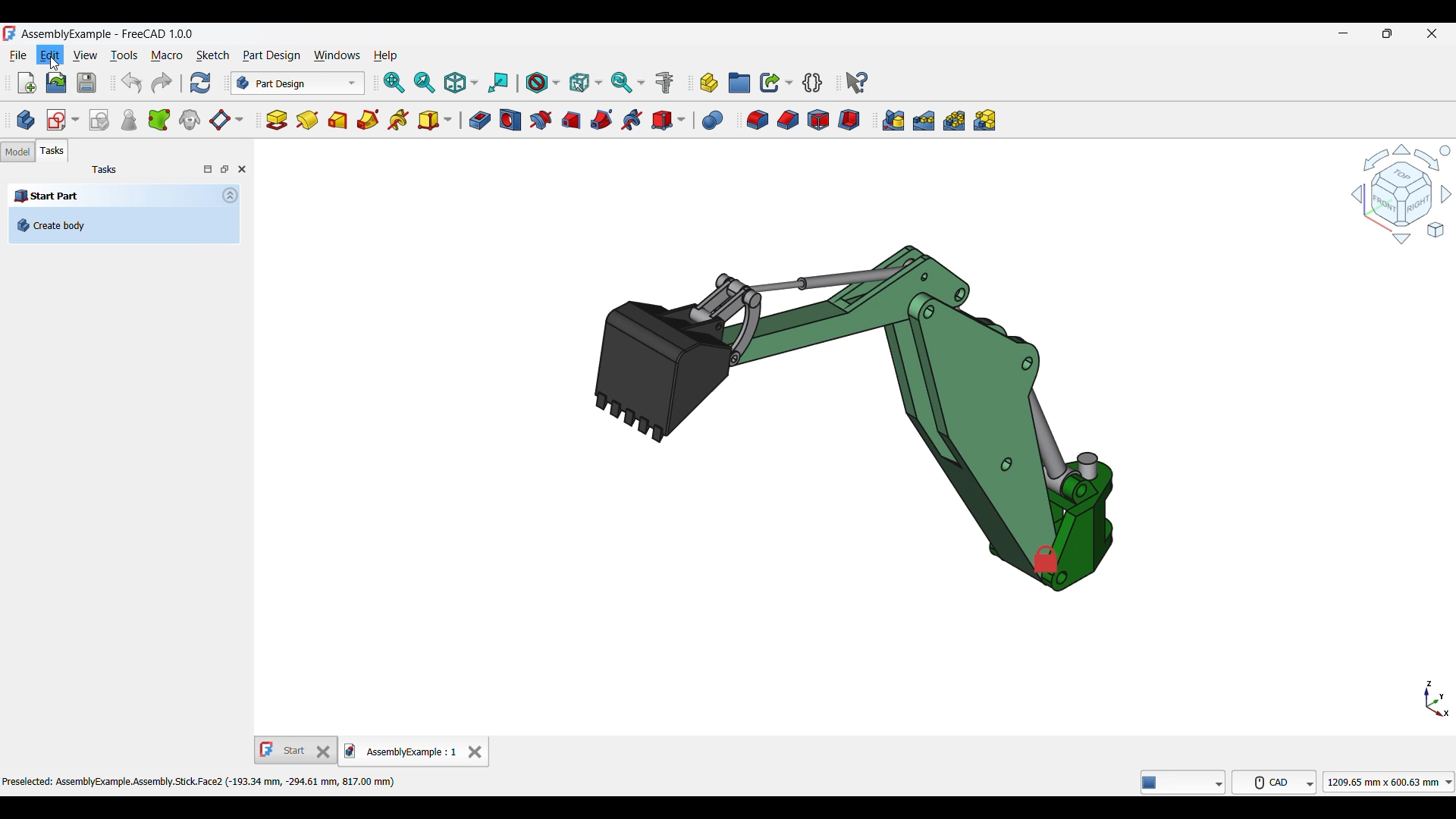 The width and height of the screenshot is (1456, 819). What do you see at coordinates (27, 83) in the screenshot?
I see `New` at bounding box center [27, 83].